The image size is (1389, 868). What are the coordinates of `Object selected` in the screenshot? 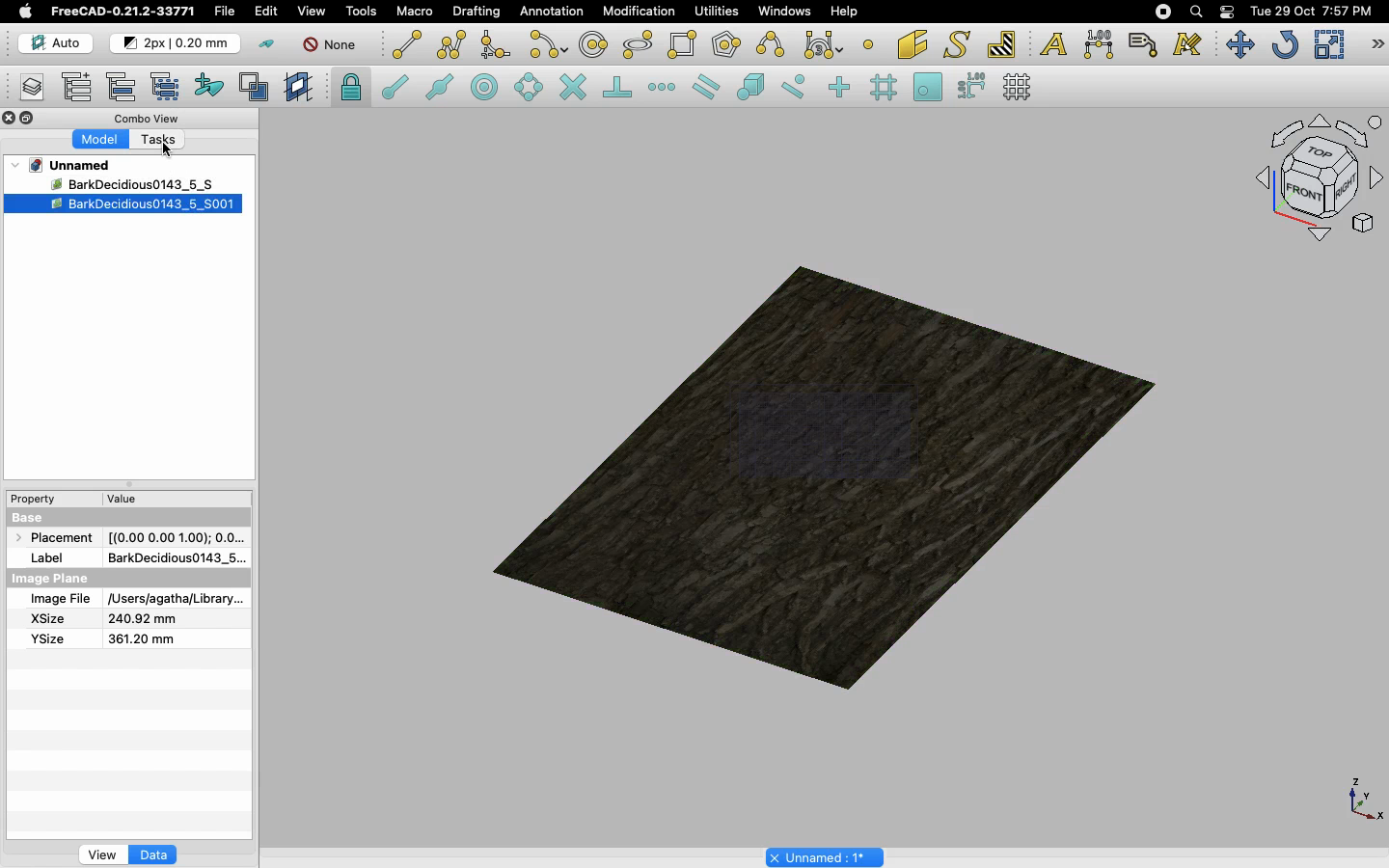 It's located at (829, 469).